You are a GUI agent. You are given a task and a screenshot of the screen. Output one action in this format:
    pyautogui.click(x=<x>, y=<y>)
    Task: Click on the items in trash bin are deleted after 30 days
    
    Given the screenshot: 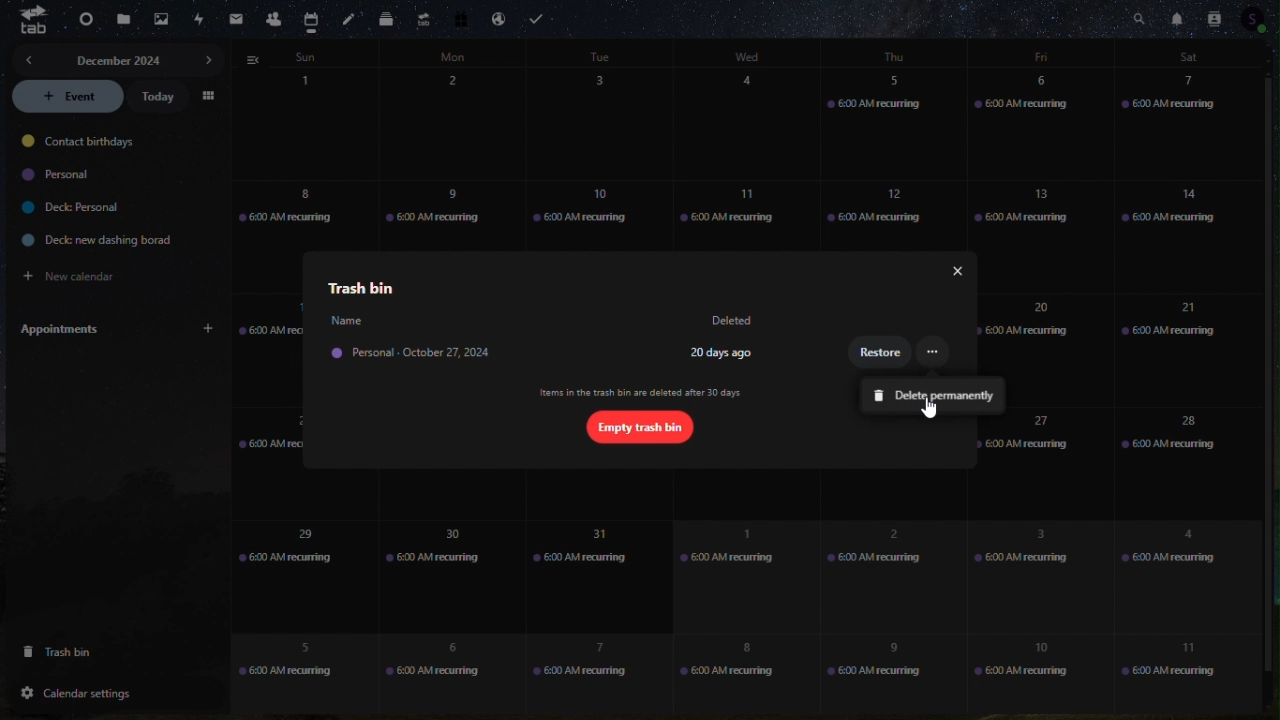 What is the action you would take?
    pyautogui.click(x=642, y=393)
    